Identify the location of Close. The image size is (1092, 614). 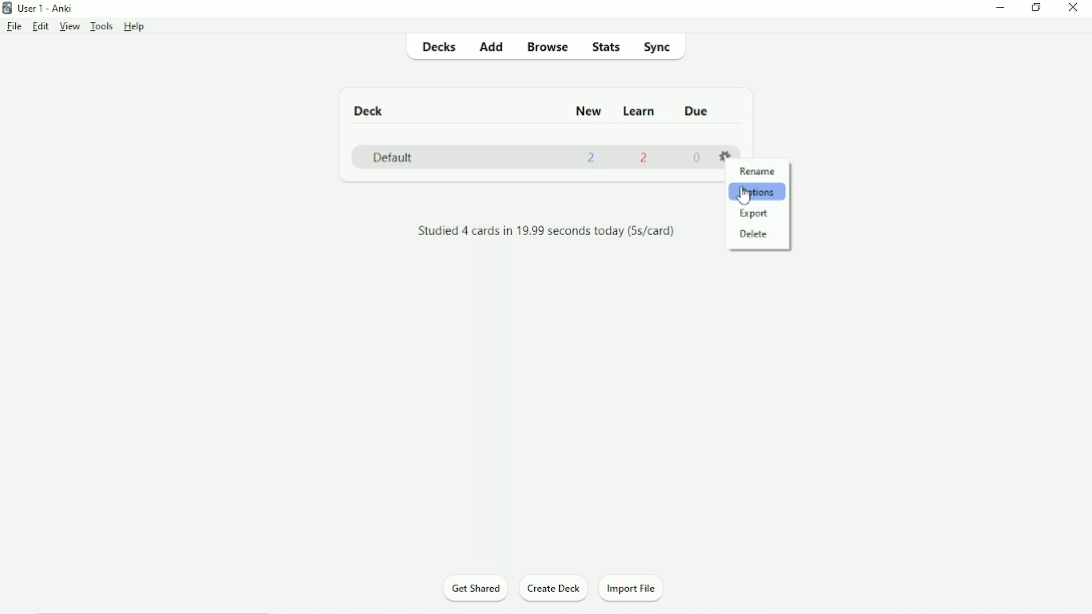
(1078, 8).